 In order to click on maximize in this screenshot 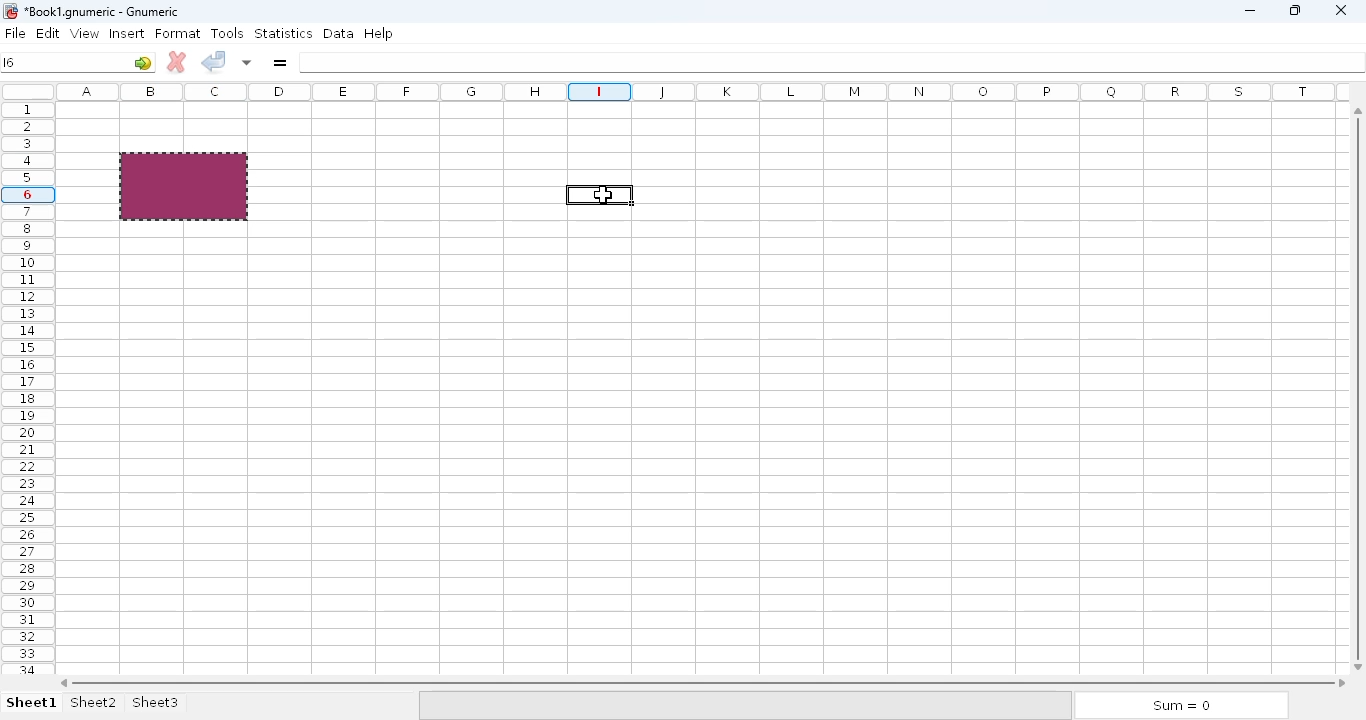, I will do `click(1293, 10)`.